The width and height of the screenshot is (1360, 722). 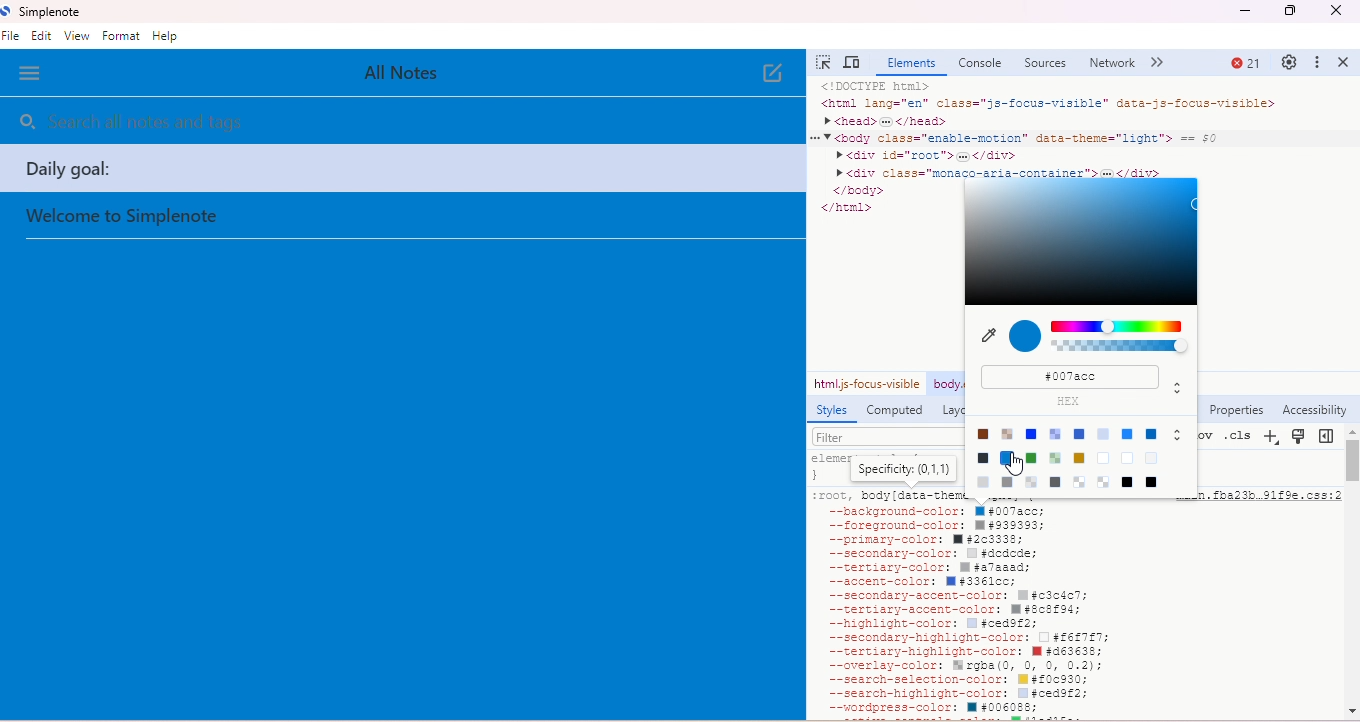 I want to click on 21, so click(x=1245, y=64).